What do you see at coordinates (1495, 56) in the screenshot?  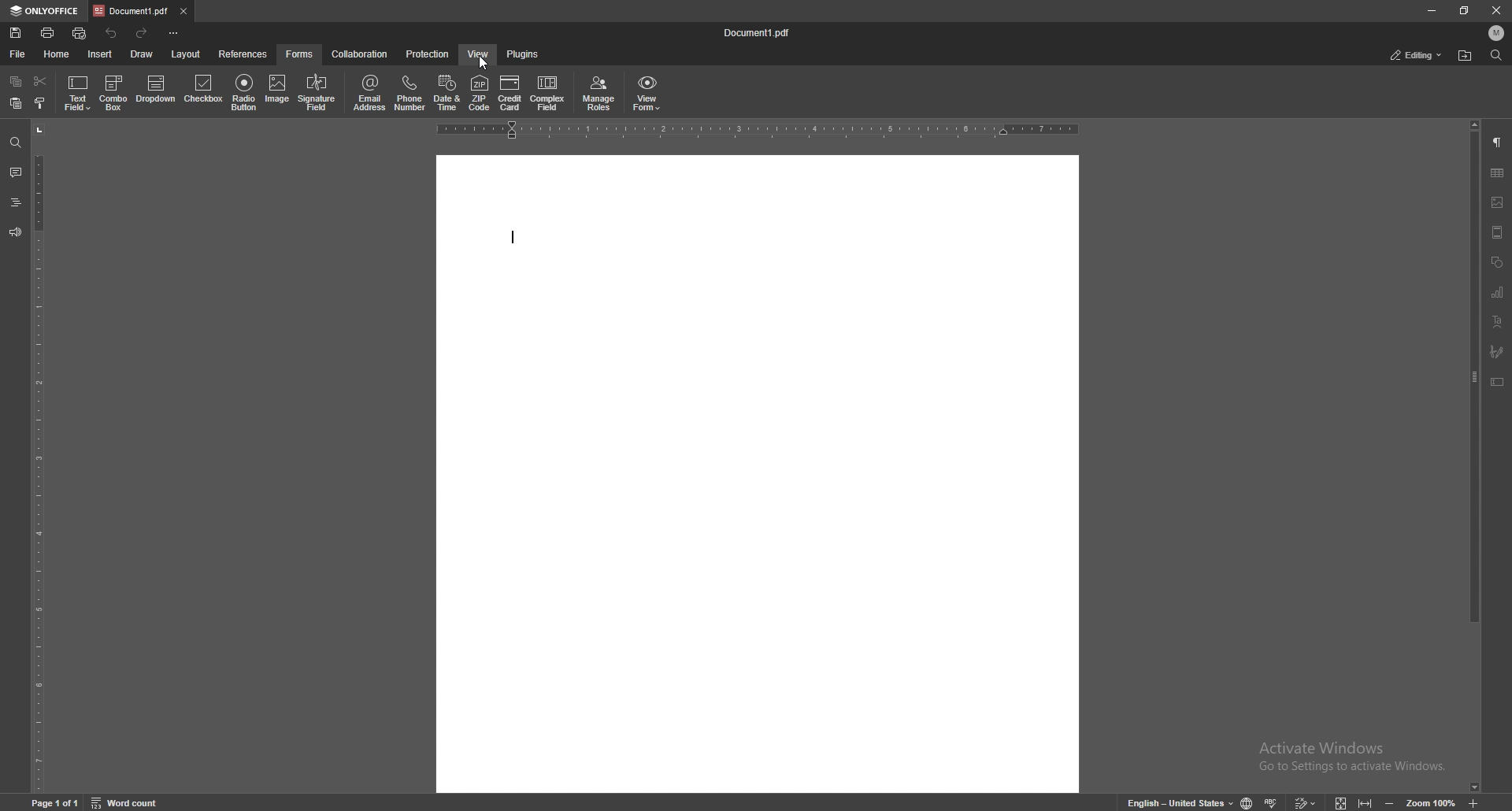 I see `find` at bounding box center [1495, 56].